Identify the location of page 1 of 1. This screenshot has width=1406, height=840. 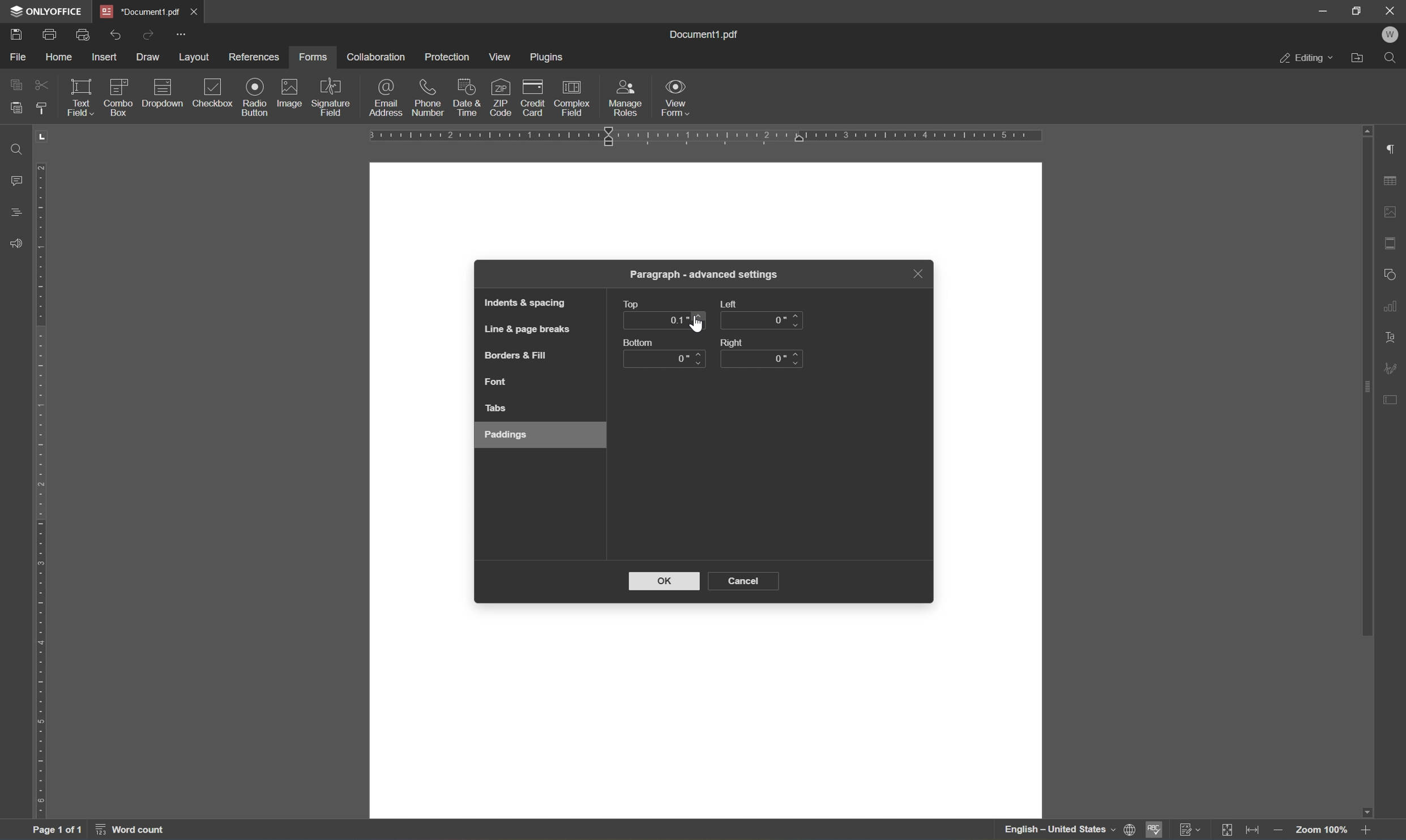
(57, 832).